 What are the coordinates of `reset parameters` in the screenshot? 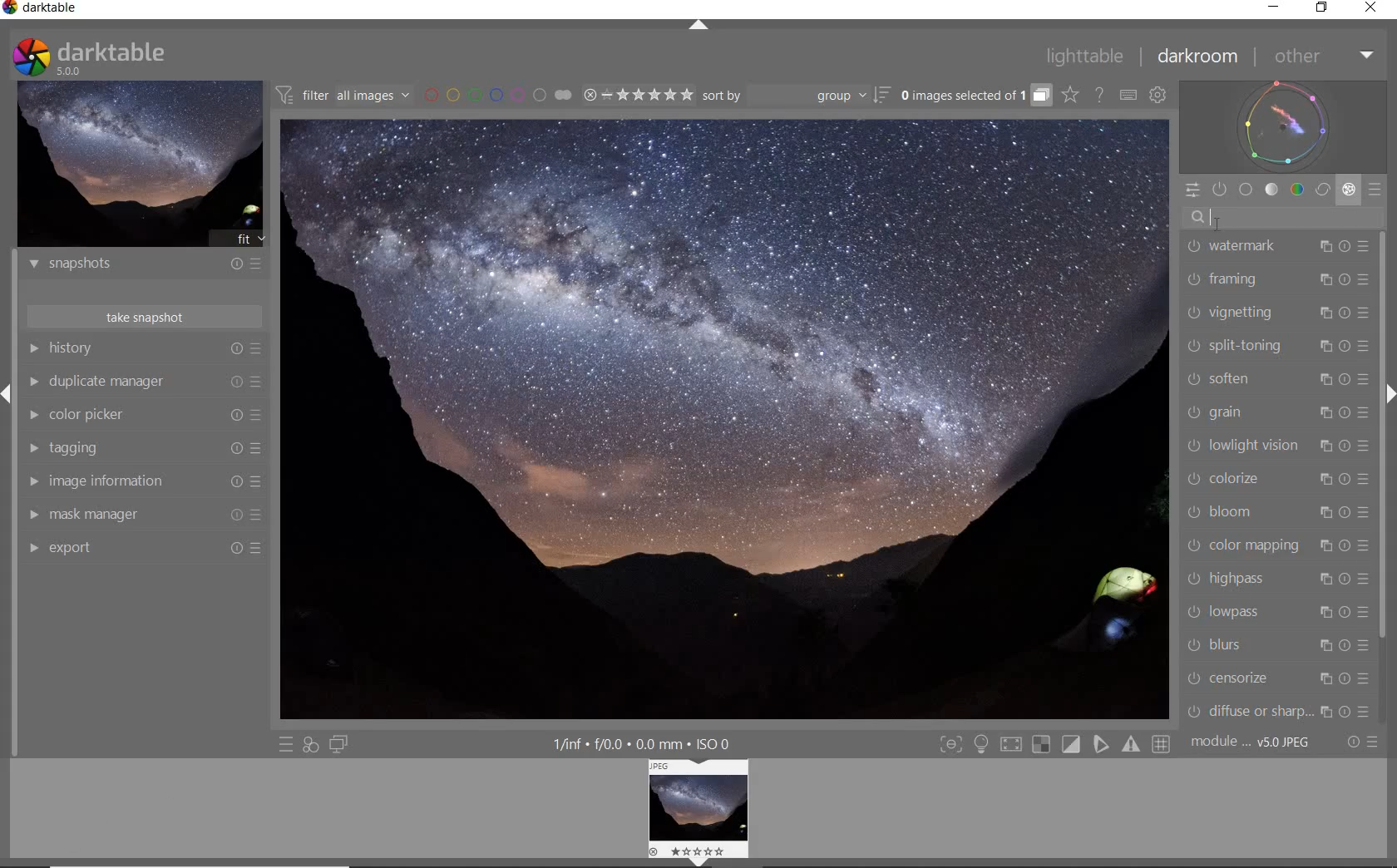 It's located at (1349, 480).